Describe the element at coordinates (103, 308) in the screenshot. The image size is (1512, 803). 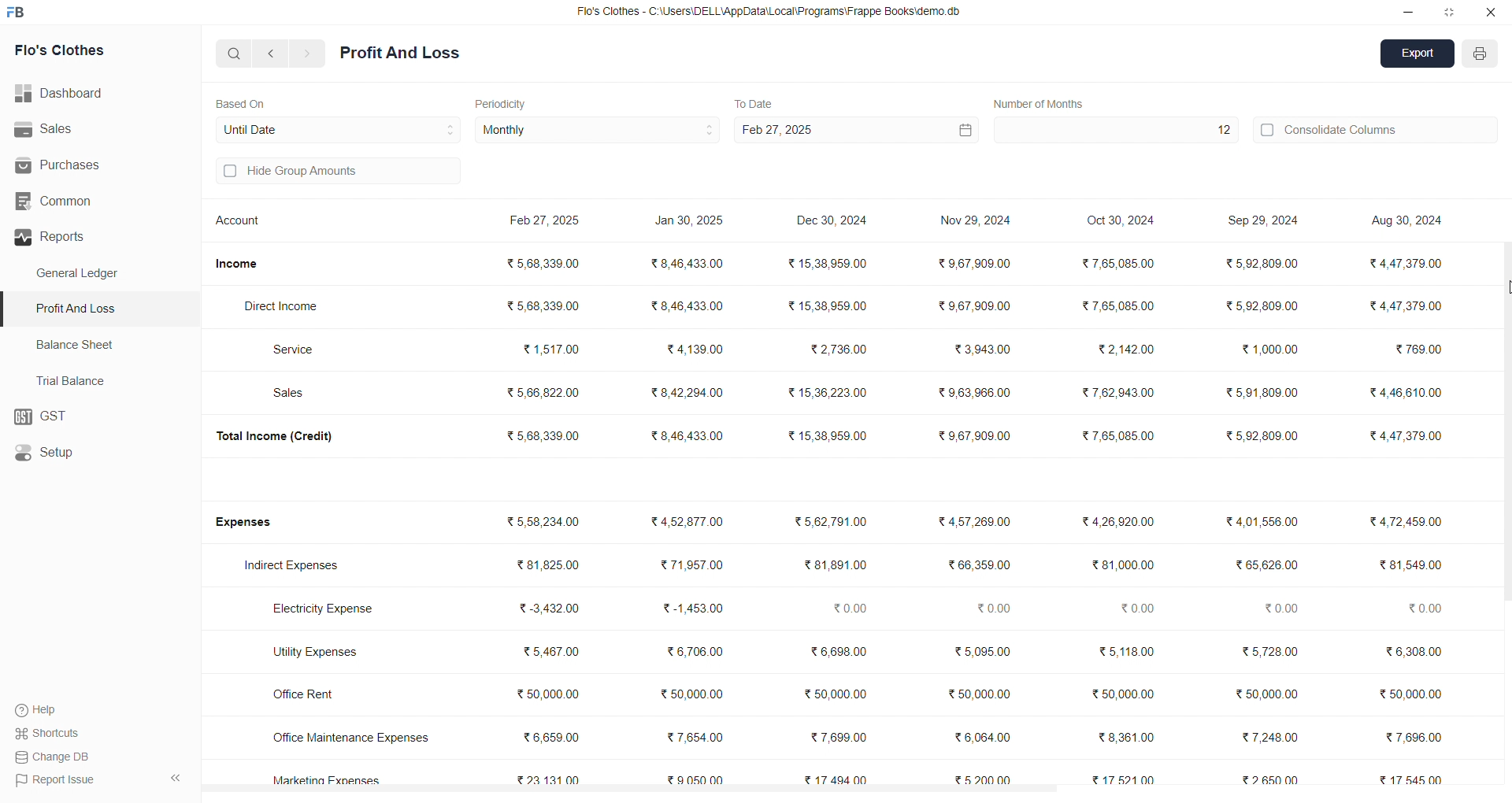
I see `Profit And Loss` at that location.